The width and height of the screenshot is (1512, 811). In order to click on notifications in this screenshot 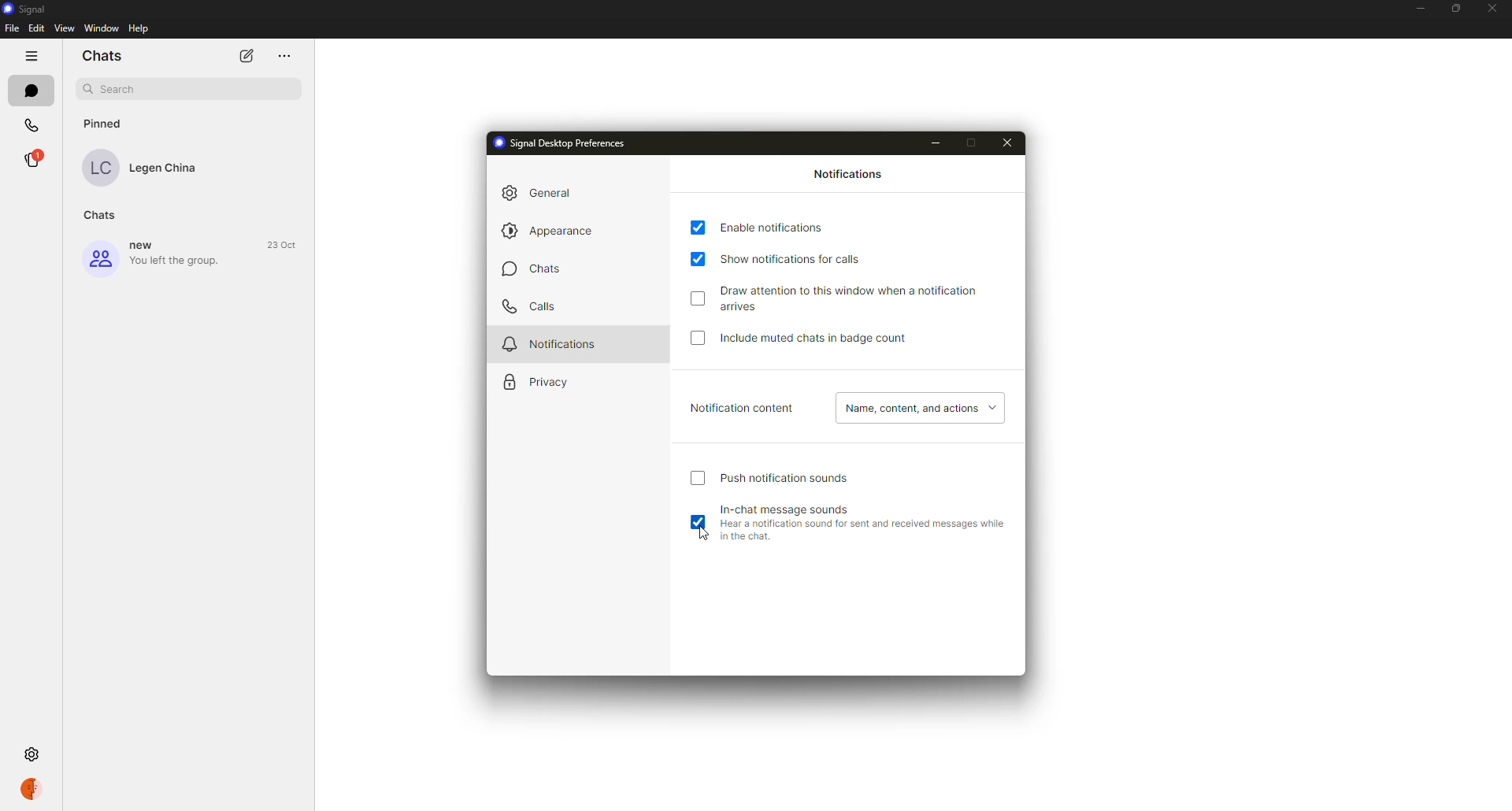, I will do `click(847, 175)`.